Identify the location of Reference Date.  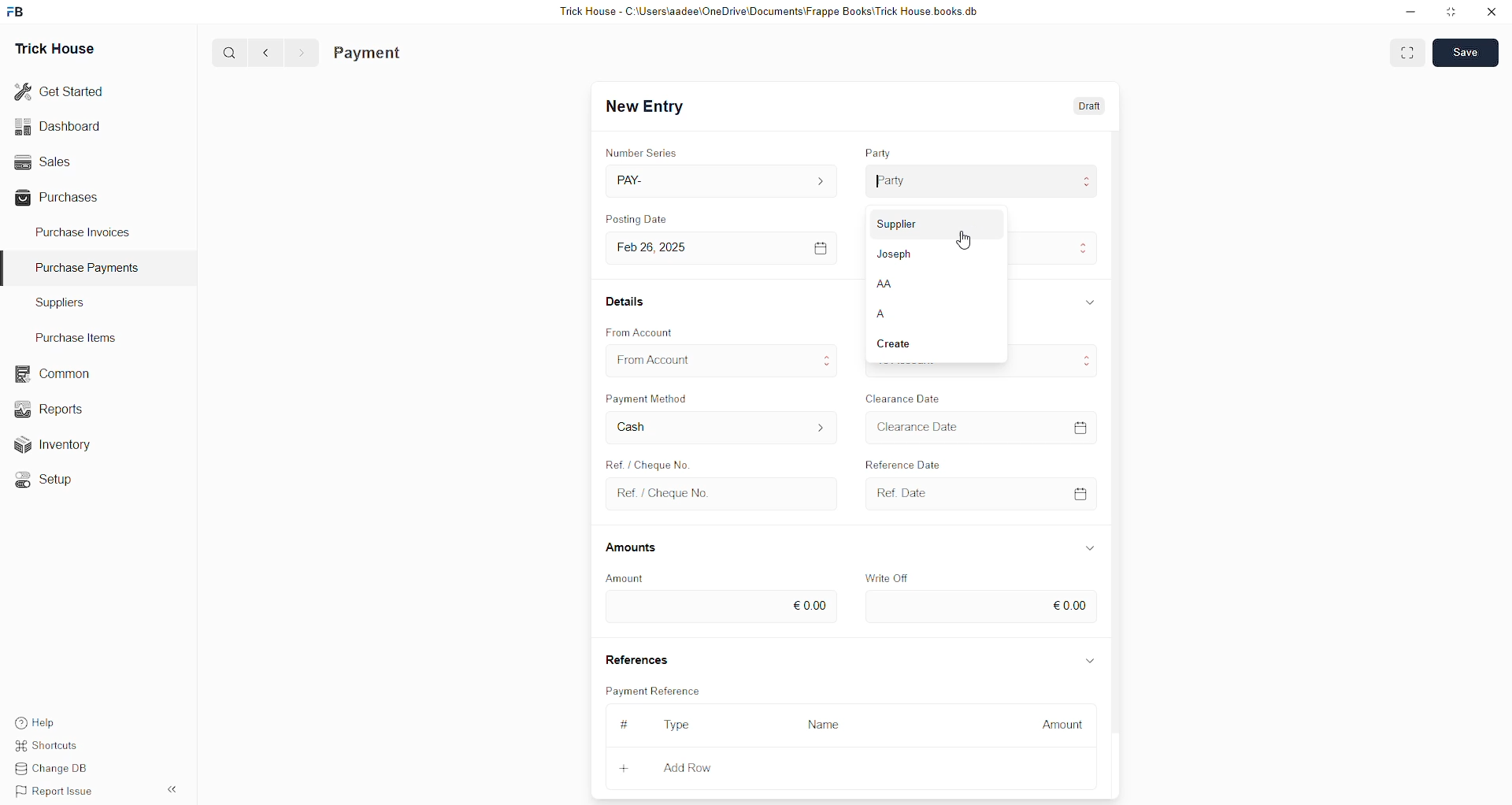
(921, 465).